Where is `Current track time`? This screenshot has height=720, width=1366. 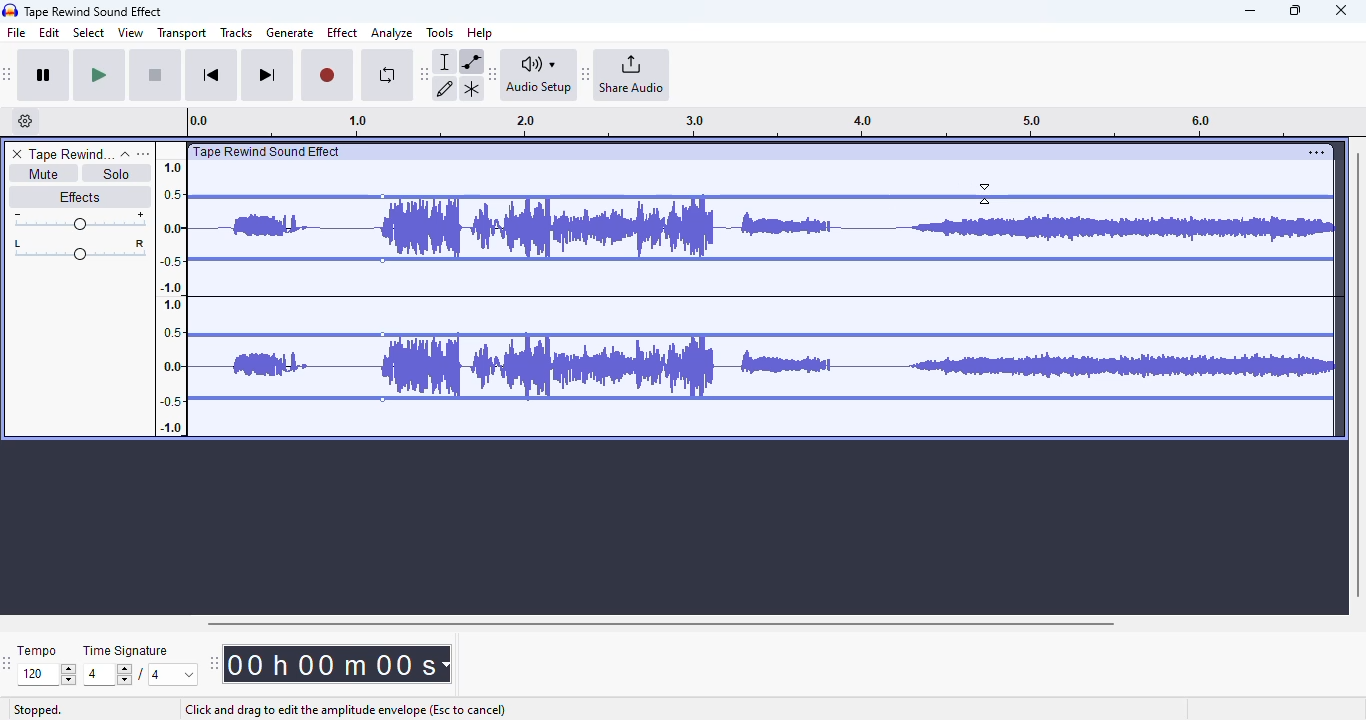
Current track time is located at coordinates (329, 664).